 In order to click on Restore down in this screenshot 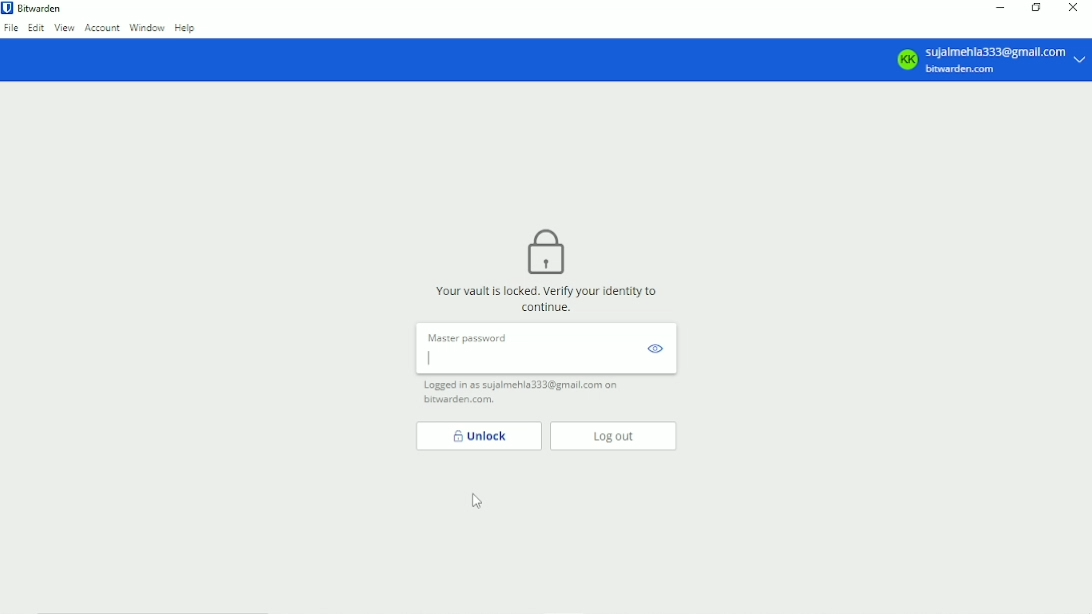, I will do `click(1038, 7)`.